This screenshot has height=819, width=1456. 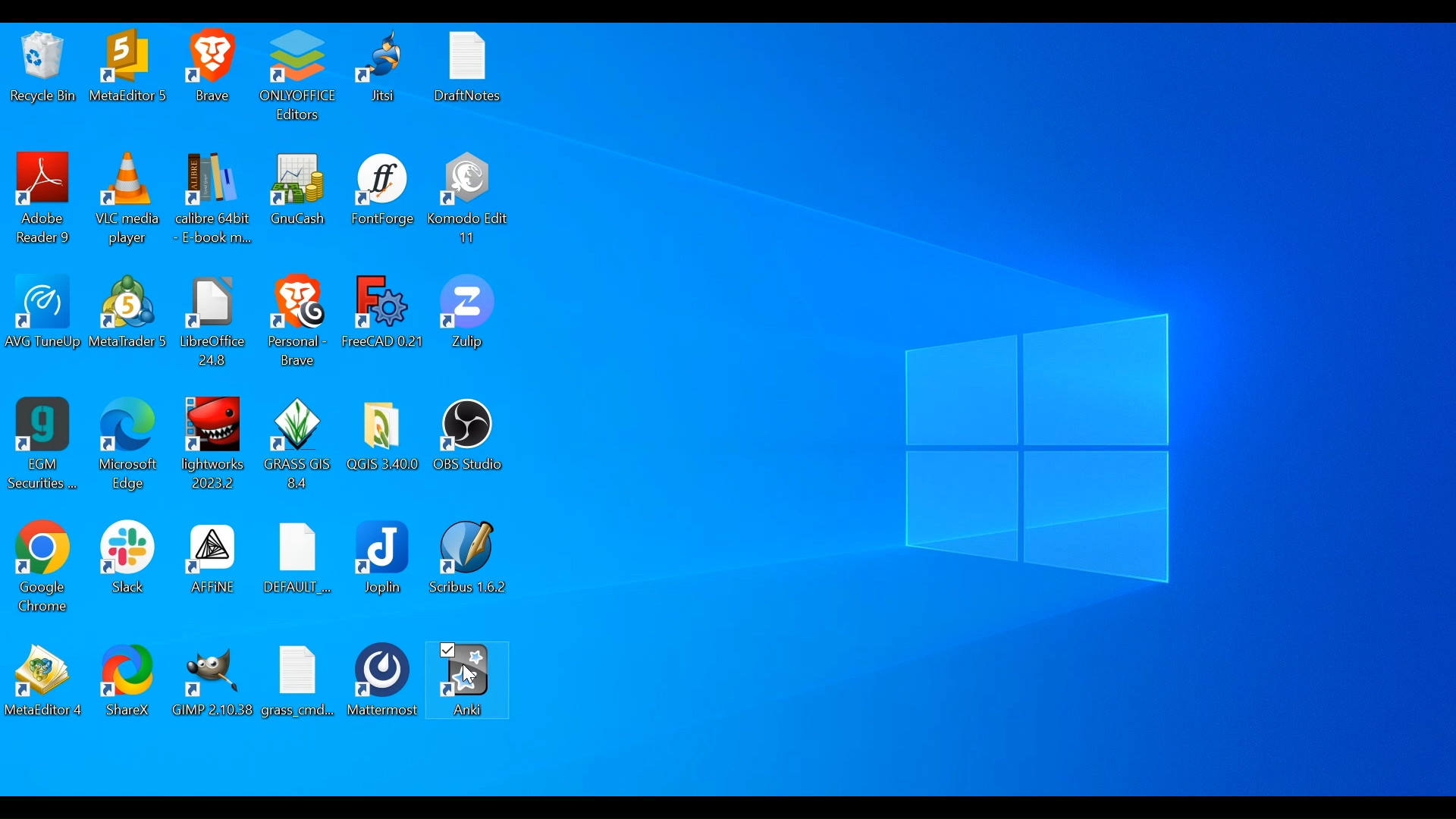 What do you see at coordinates (42, 198) in the screenshot?
I see `Adobe Reader Desktop icon` at bounding box center [42, 198].